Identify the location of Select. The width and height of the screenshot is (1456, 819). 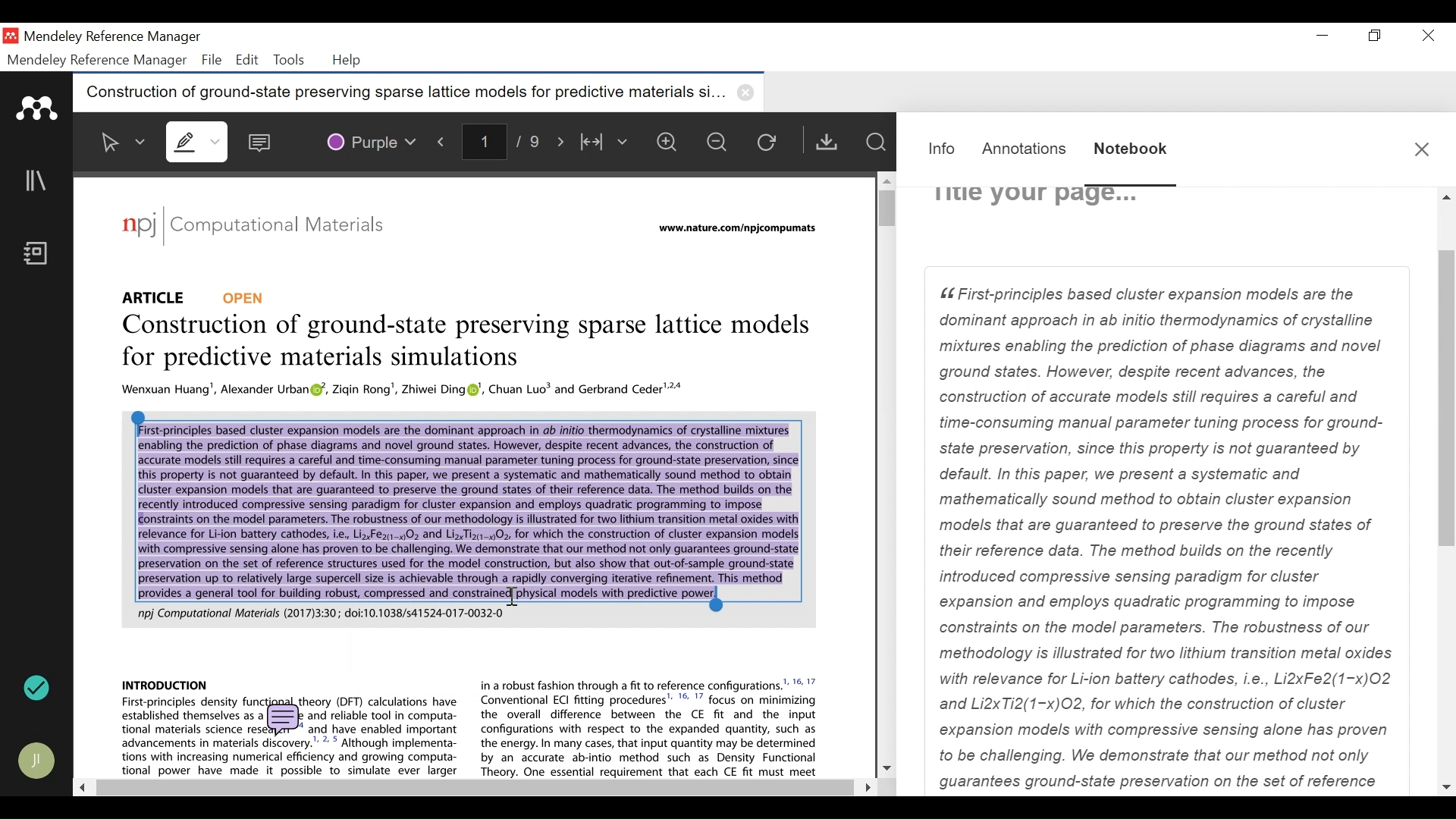
(124, 142).